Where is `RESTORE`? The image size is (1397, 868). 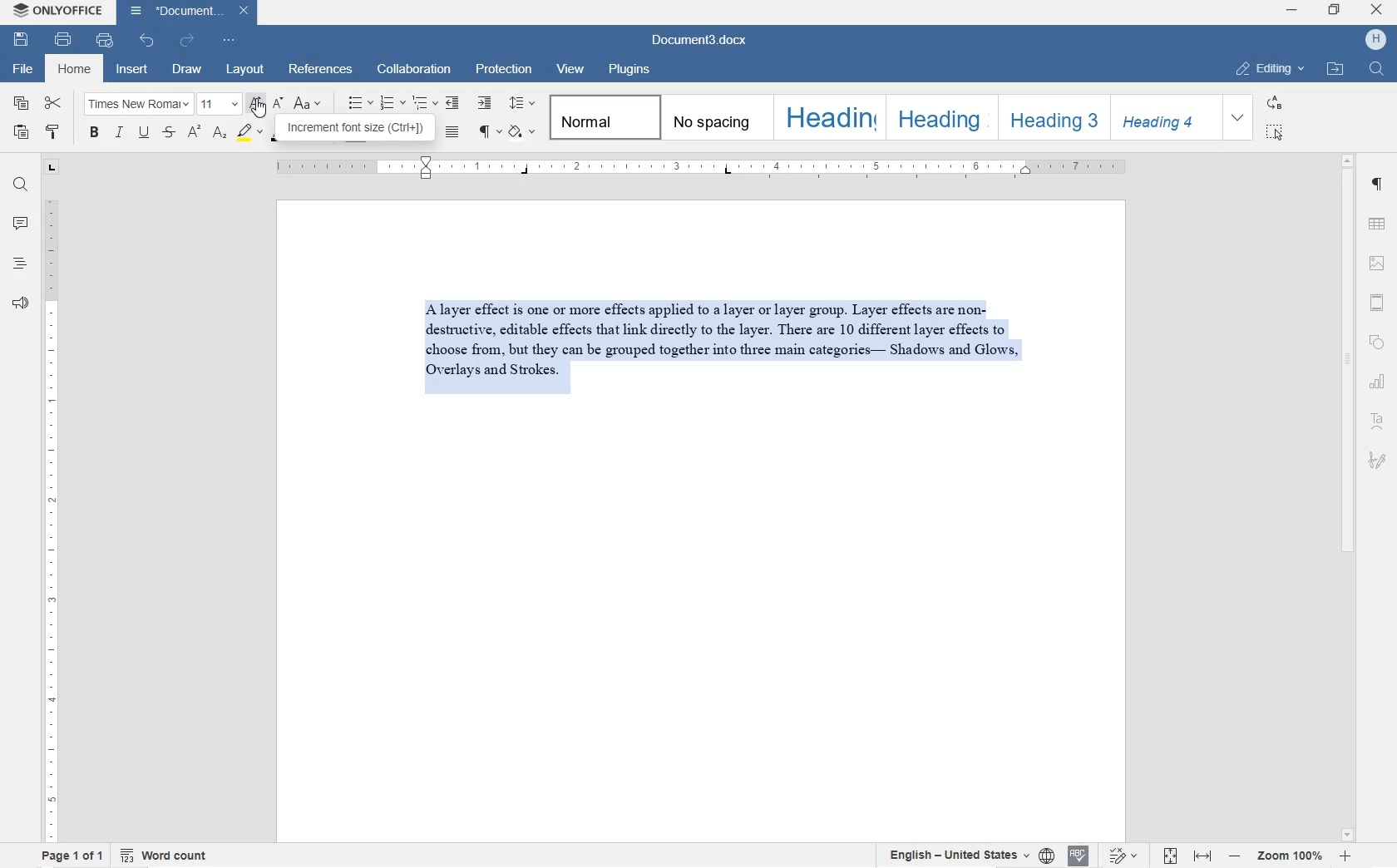
RESTORE is located at coordinates (1335, 12).